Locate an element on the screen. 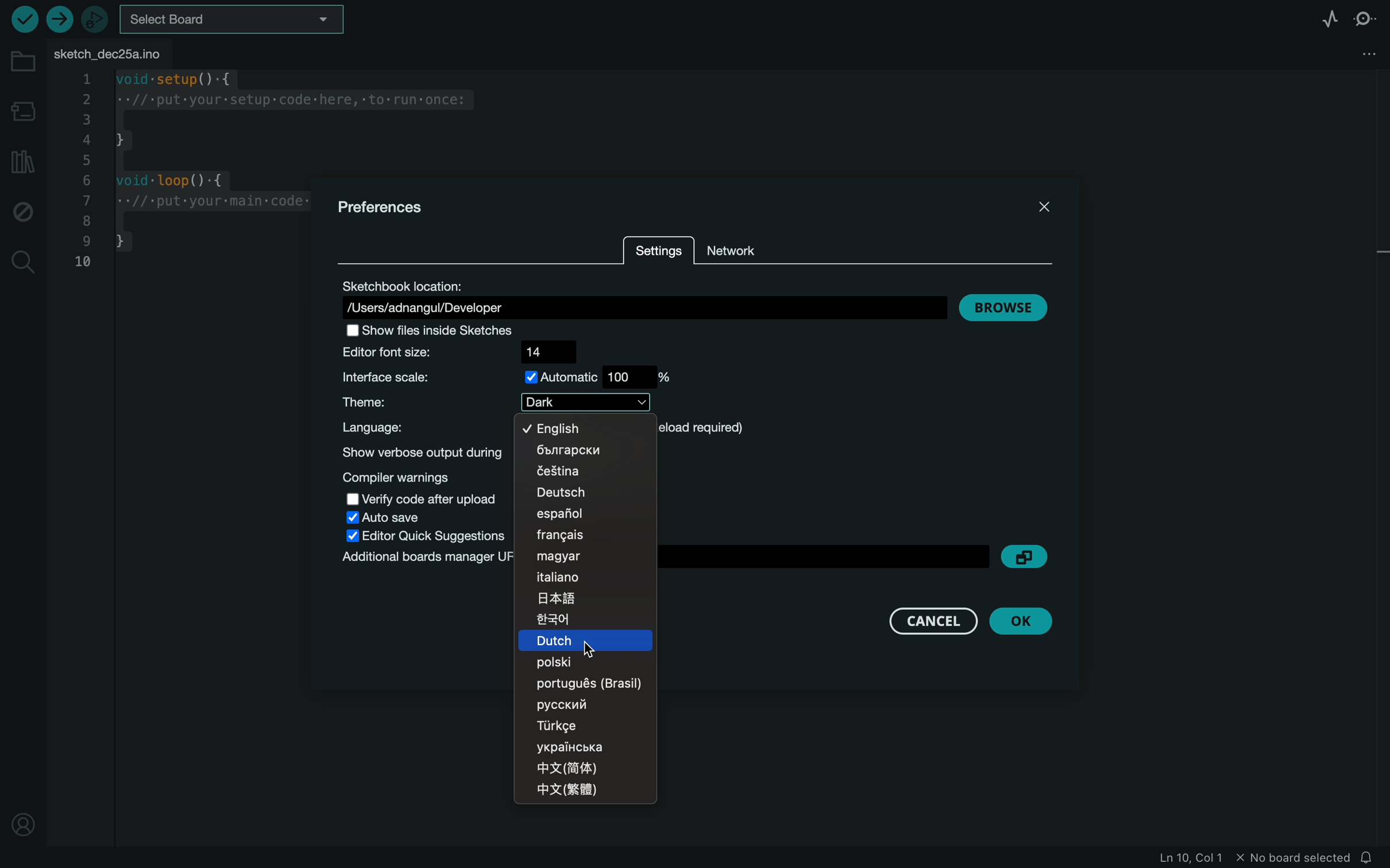  upload is located at coordinates (57, 21).